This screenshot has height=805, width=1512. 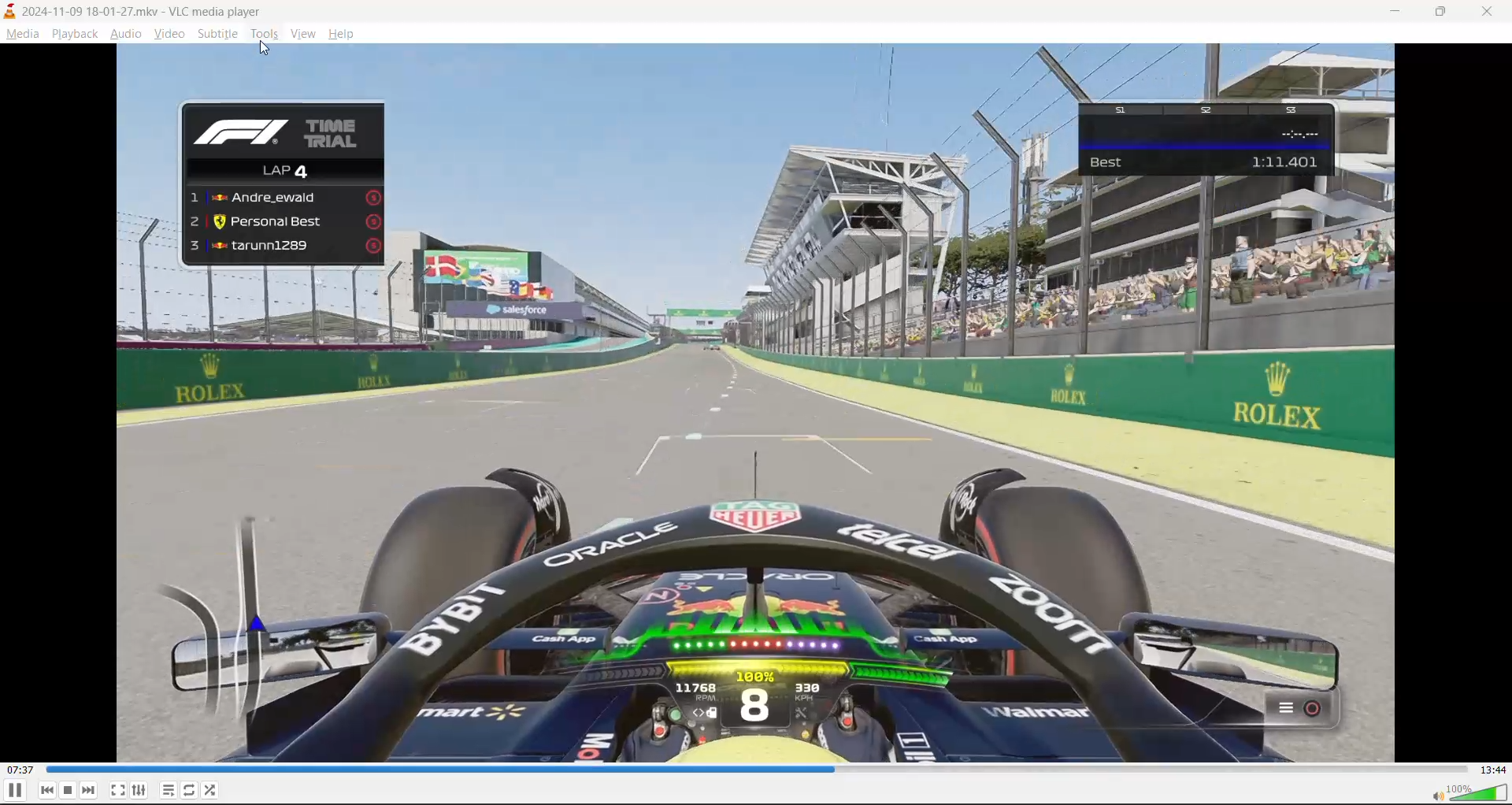 I want to click on video, so click(x=754, y=402).